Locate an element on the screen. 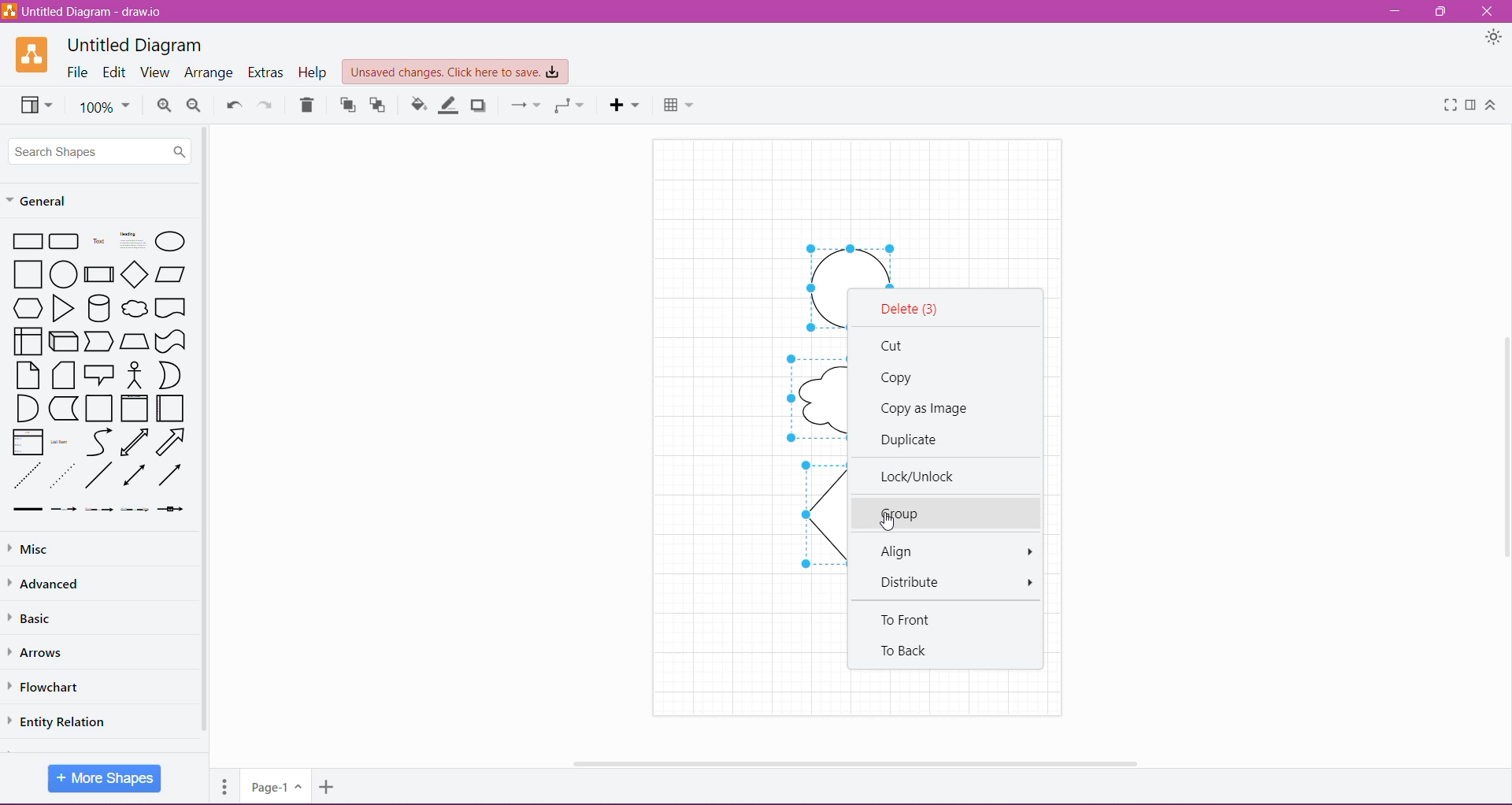 This screenshot has width=1512, height=805. Misc is located at coordinates (31, 550).